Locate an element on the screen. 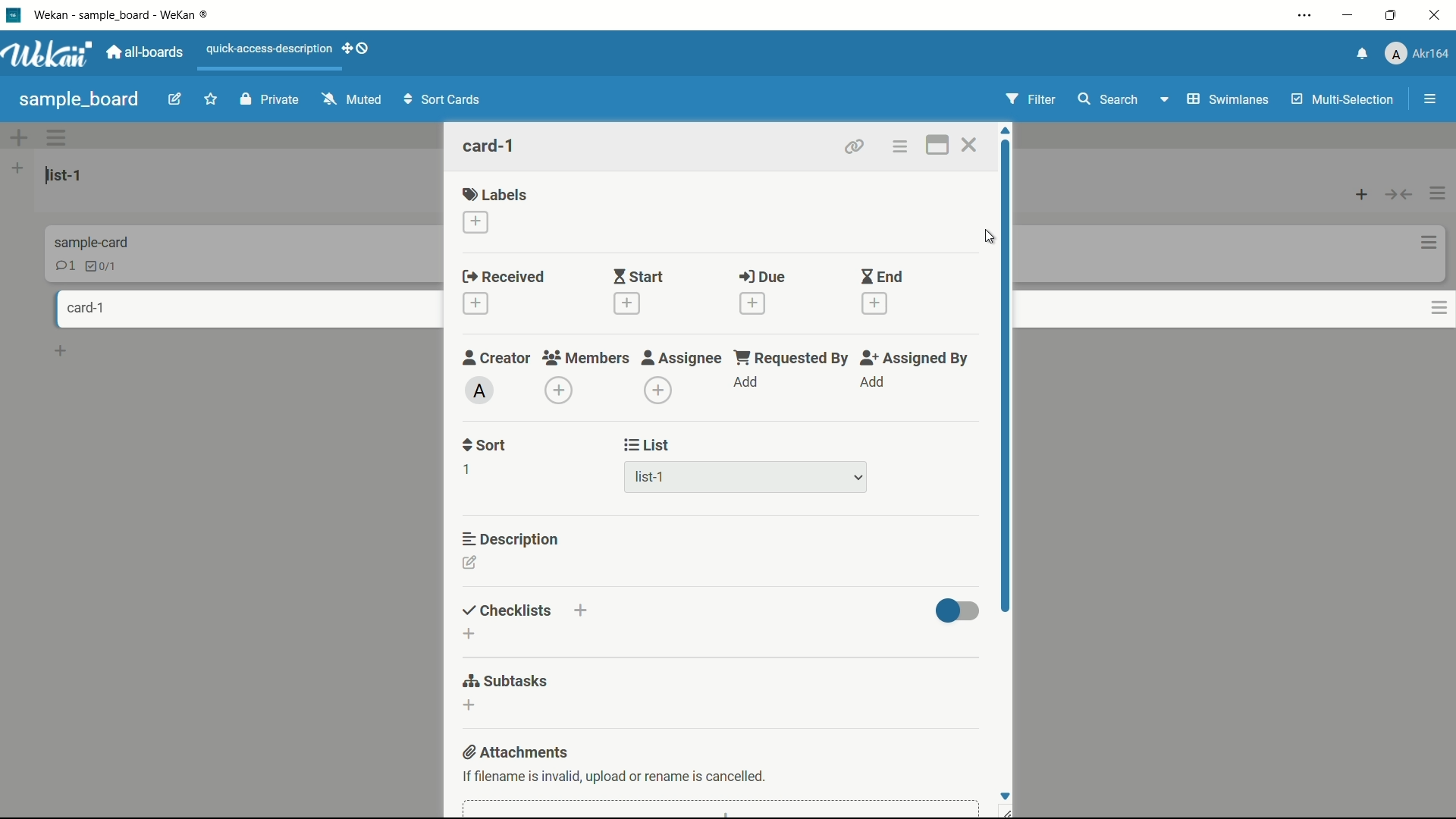 Image resolution: width=1456 pixels, height=819 pixels. favorite is located at coordinates (209, 100).